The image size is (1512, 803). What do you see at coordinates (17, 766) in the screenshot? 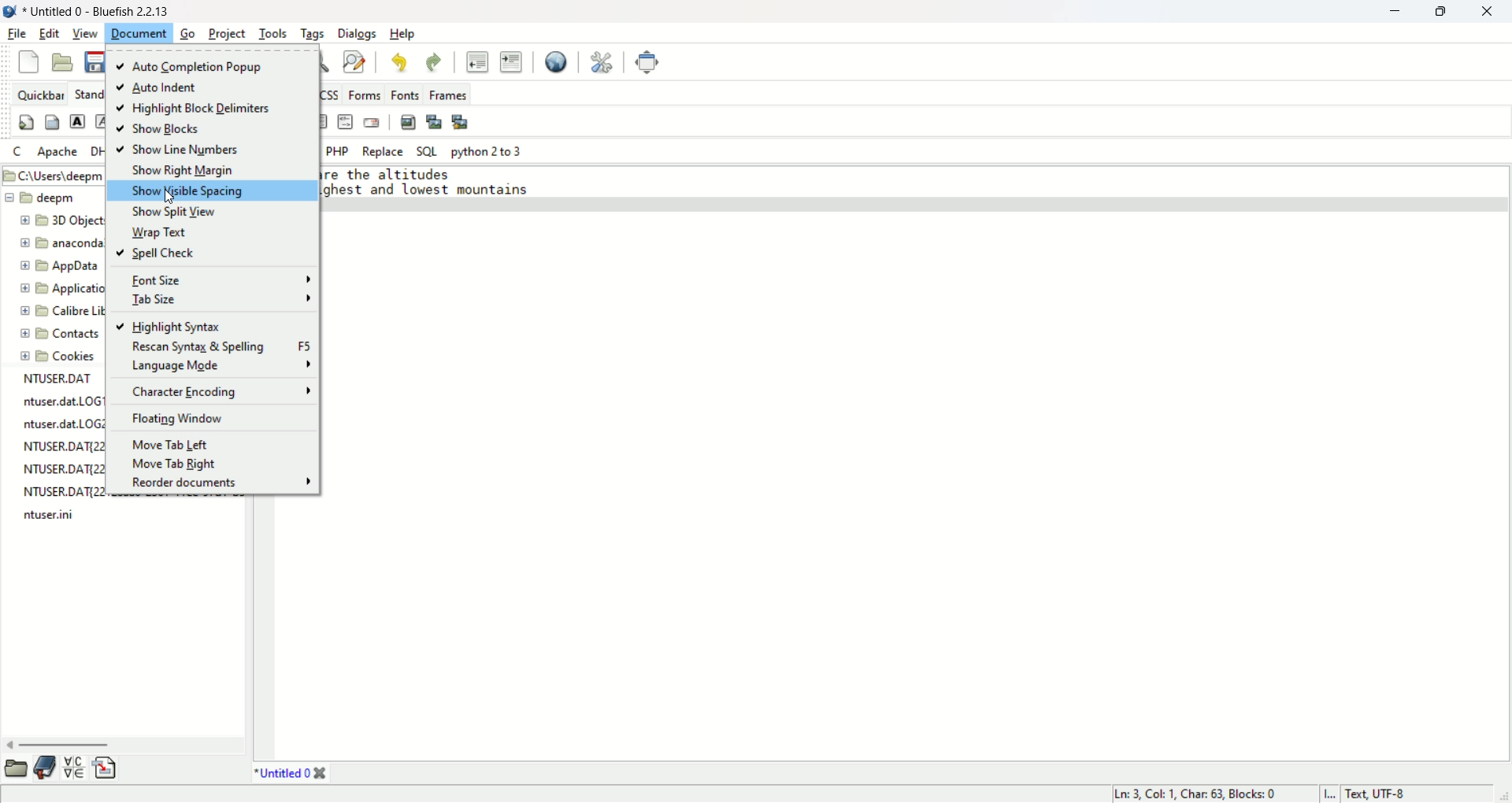
I see `open` at bounding box center [17, 766].